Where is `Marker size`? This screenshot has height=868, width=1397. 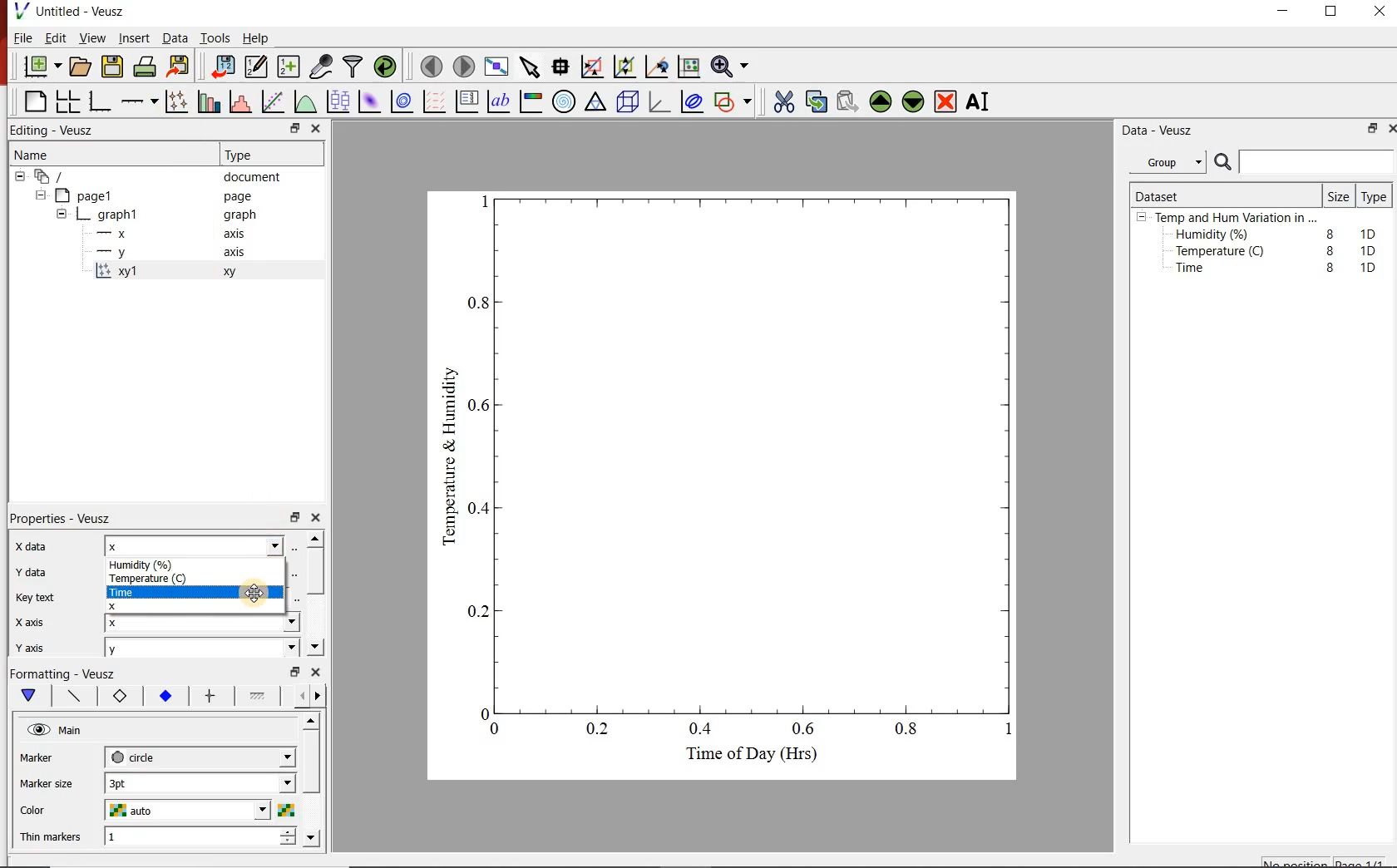 Marker size is located at coordinates (54, 782).